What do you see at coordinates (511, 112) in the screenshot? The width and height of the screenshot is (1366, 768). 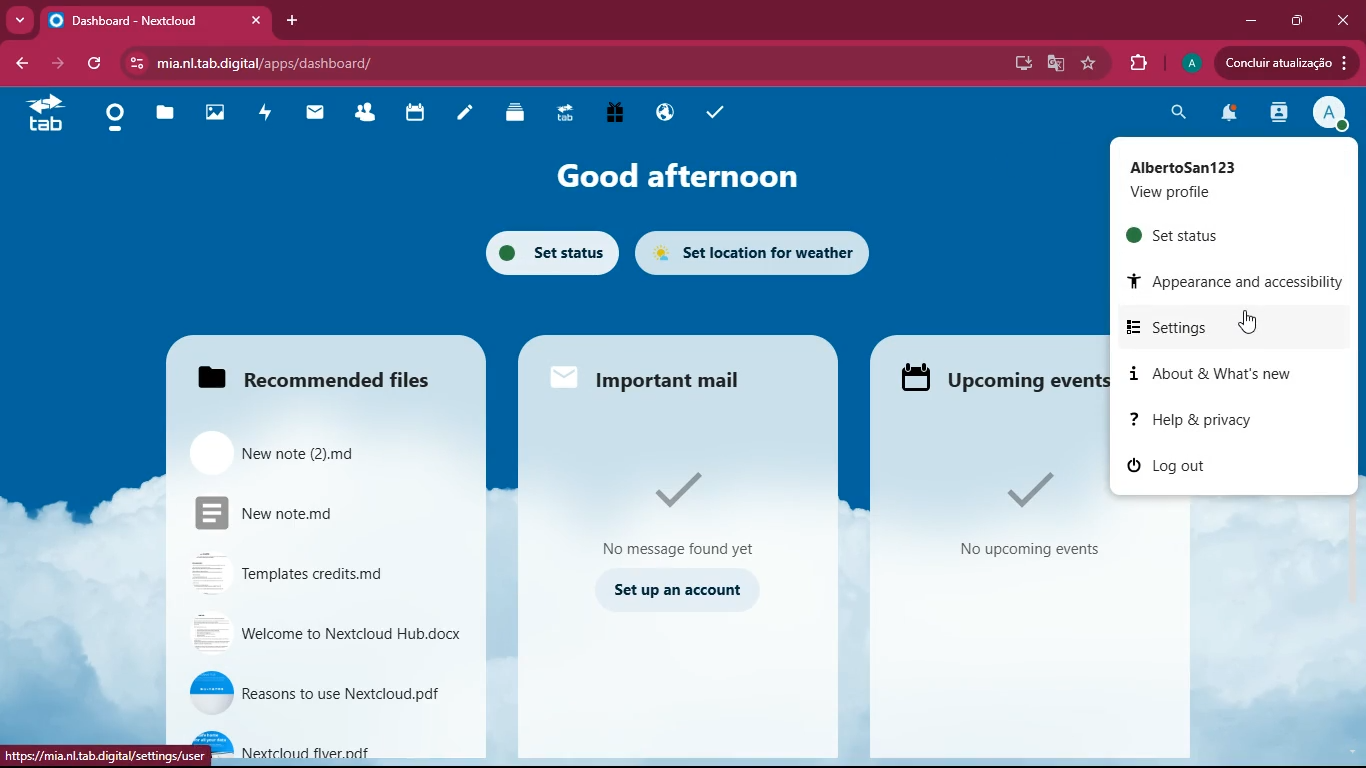 I see `layers` at bounding box center [511, 112].